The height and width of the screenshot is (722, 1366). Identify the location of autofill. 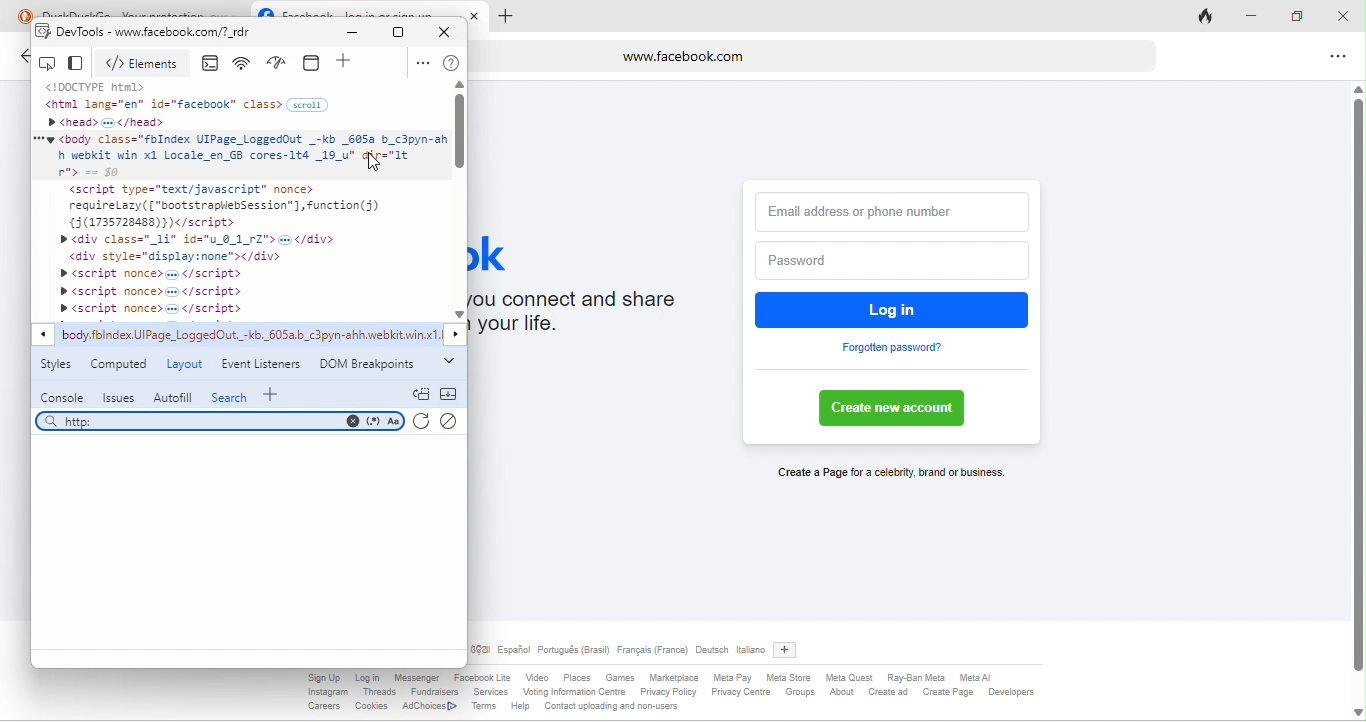
(172, 396).